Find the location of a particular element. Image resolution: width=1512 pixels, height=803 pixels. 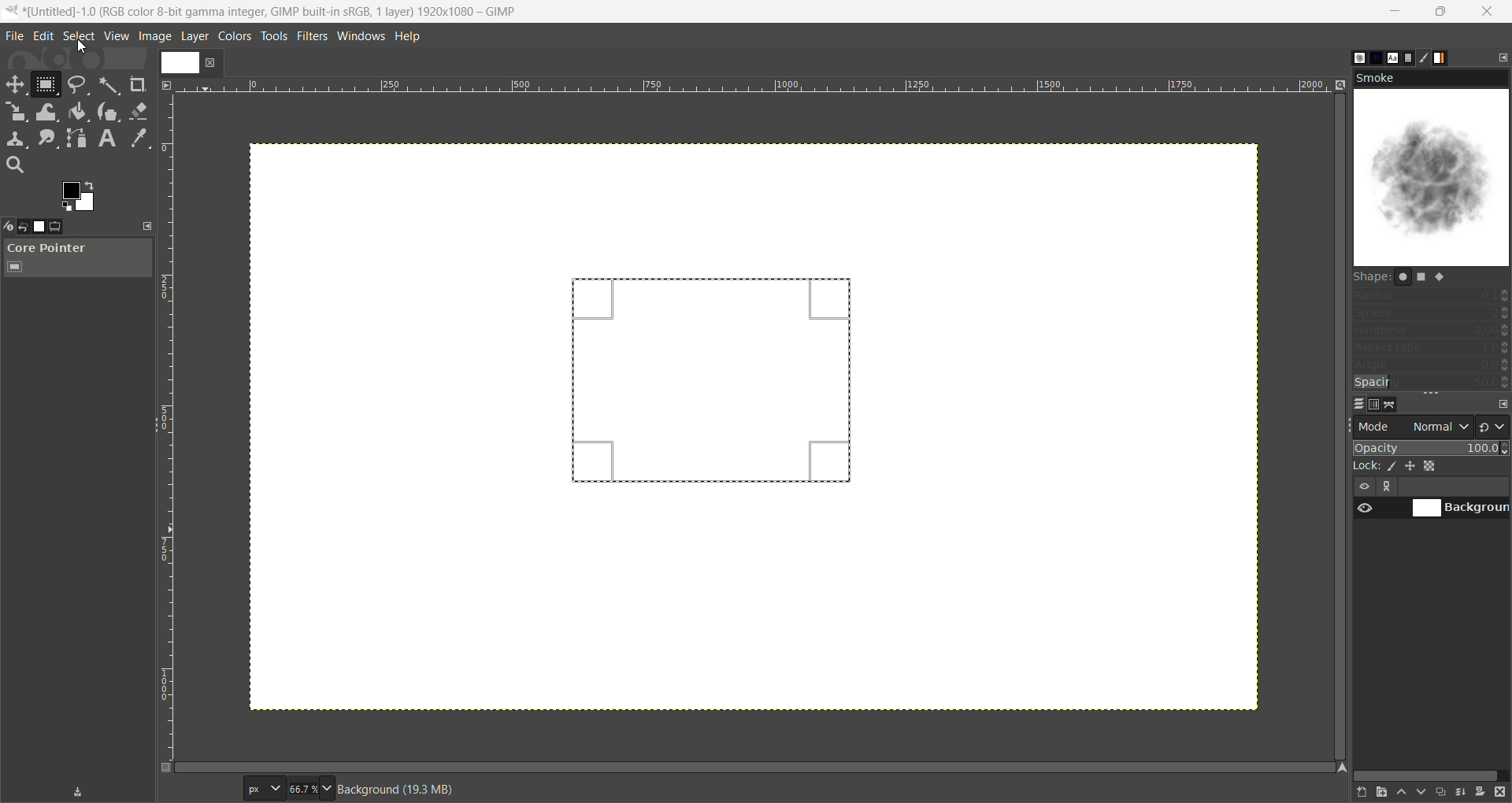

spikes is located at coordinates (1431, 314).